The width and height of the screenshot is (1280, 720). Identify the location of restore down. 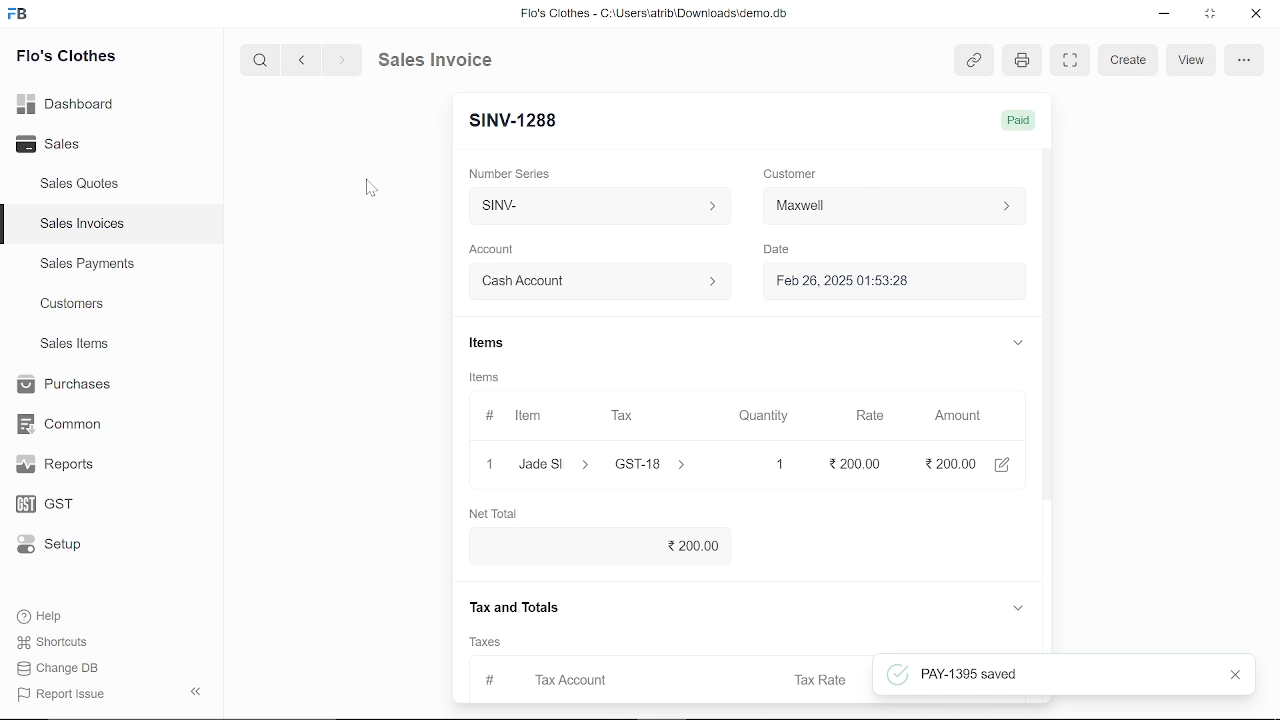
(1212, 15).